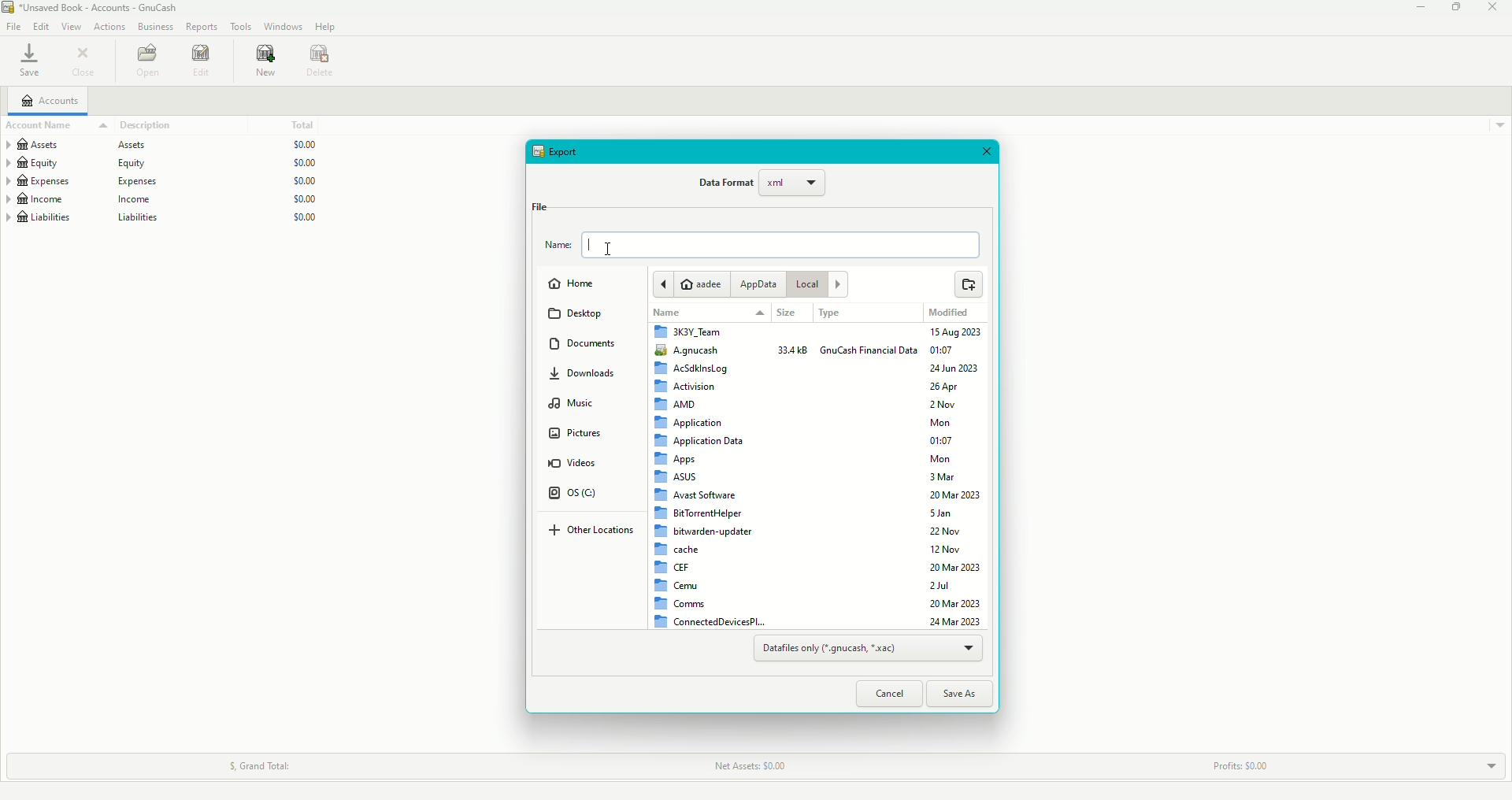 The height and width of the screenshot is (800, 1512). I want to click on Local, so click(821, 286).